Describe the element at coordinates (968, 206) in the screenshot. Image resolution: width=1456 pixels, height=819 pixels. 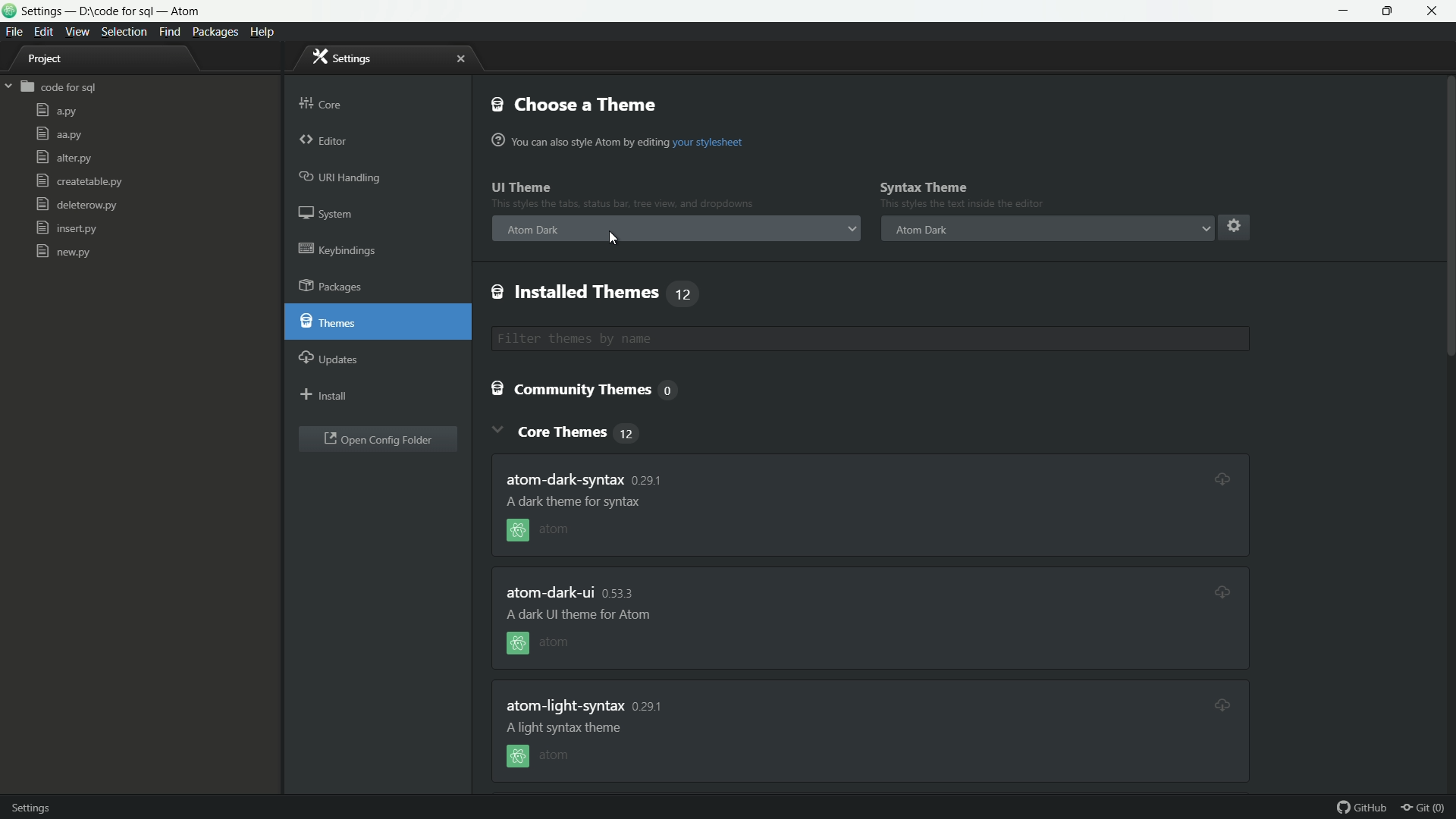
I see `this styles the text inside the editor` at that location.